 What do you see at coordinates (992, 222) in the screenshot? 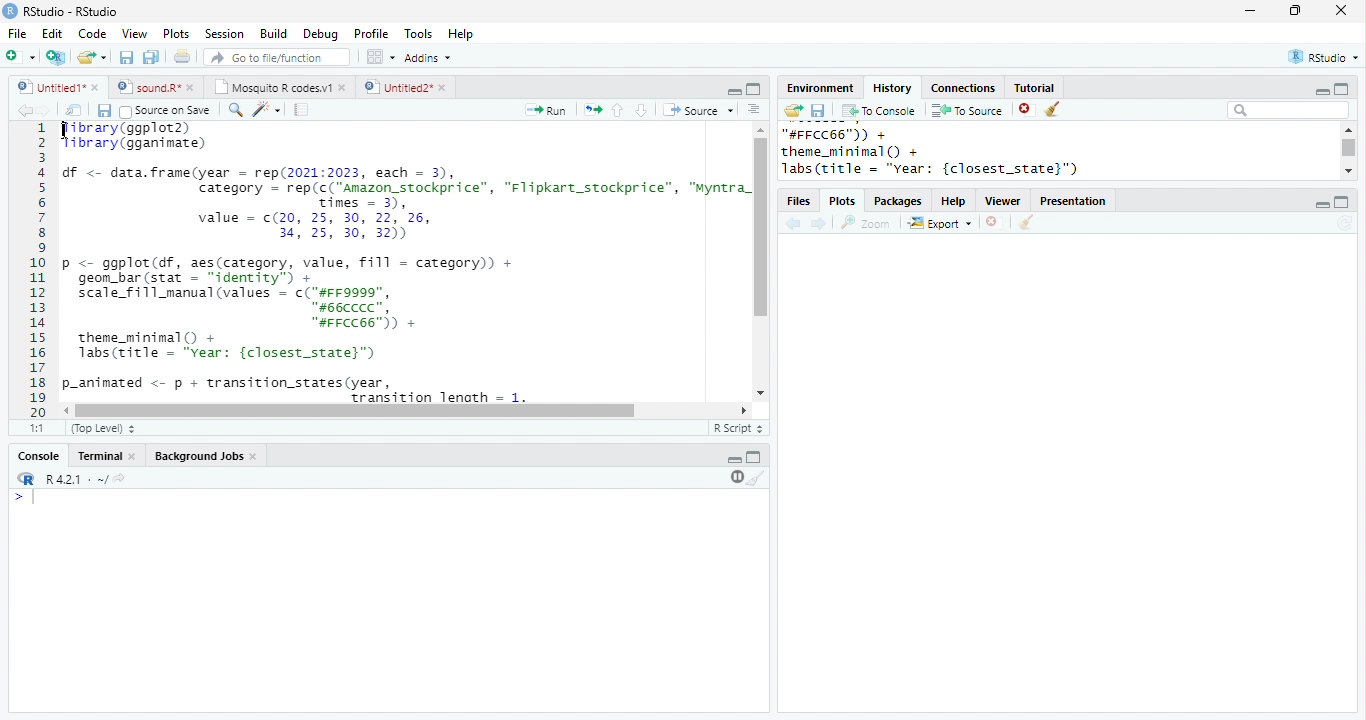
I see `close file` at bounding box center [992, 222].